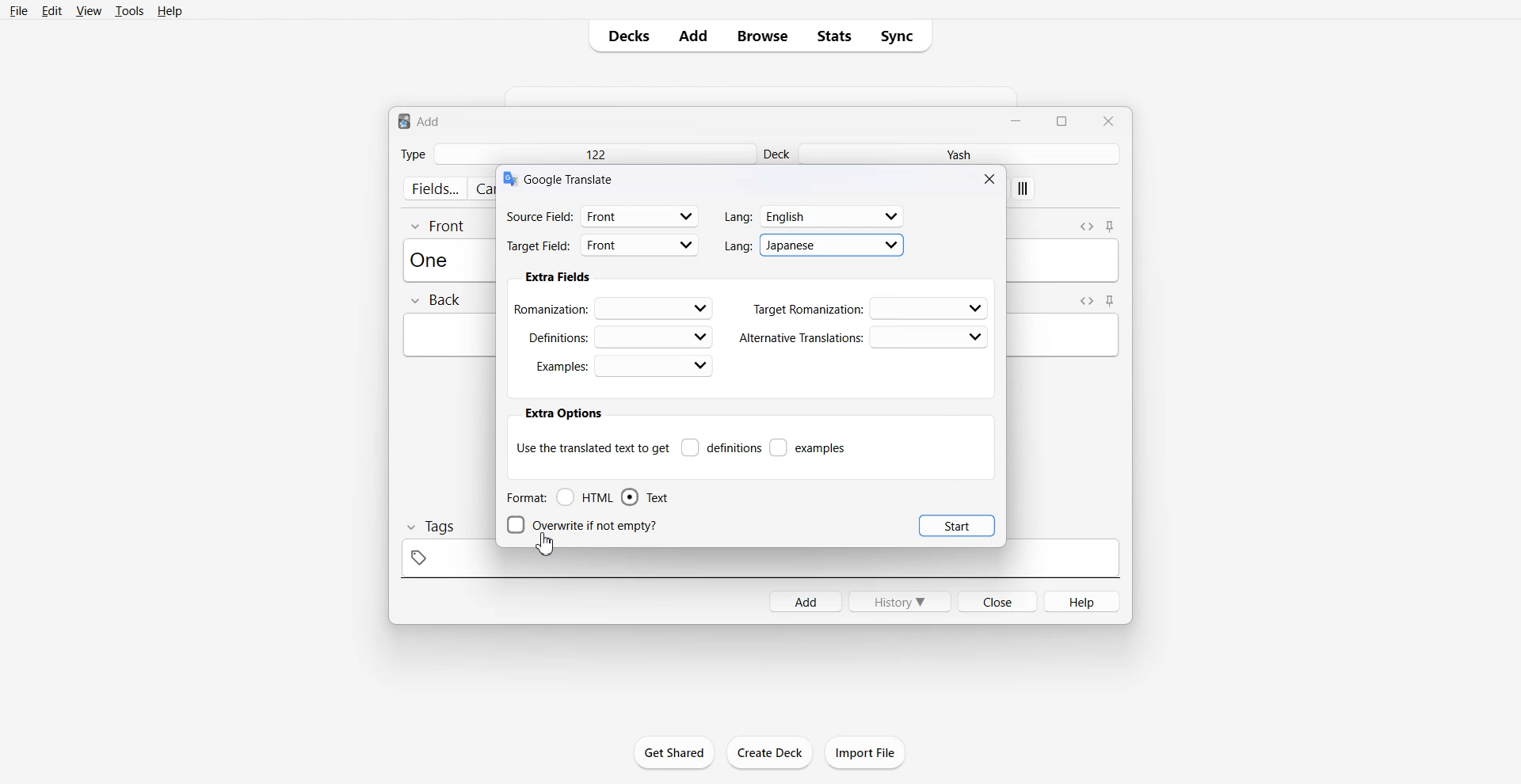  I want to click on Get Shared, so click(675, 752).